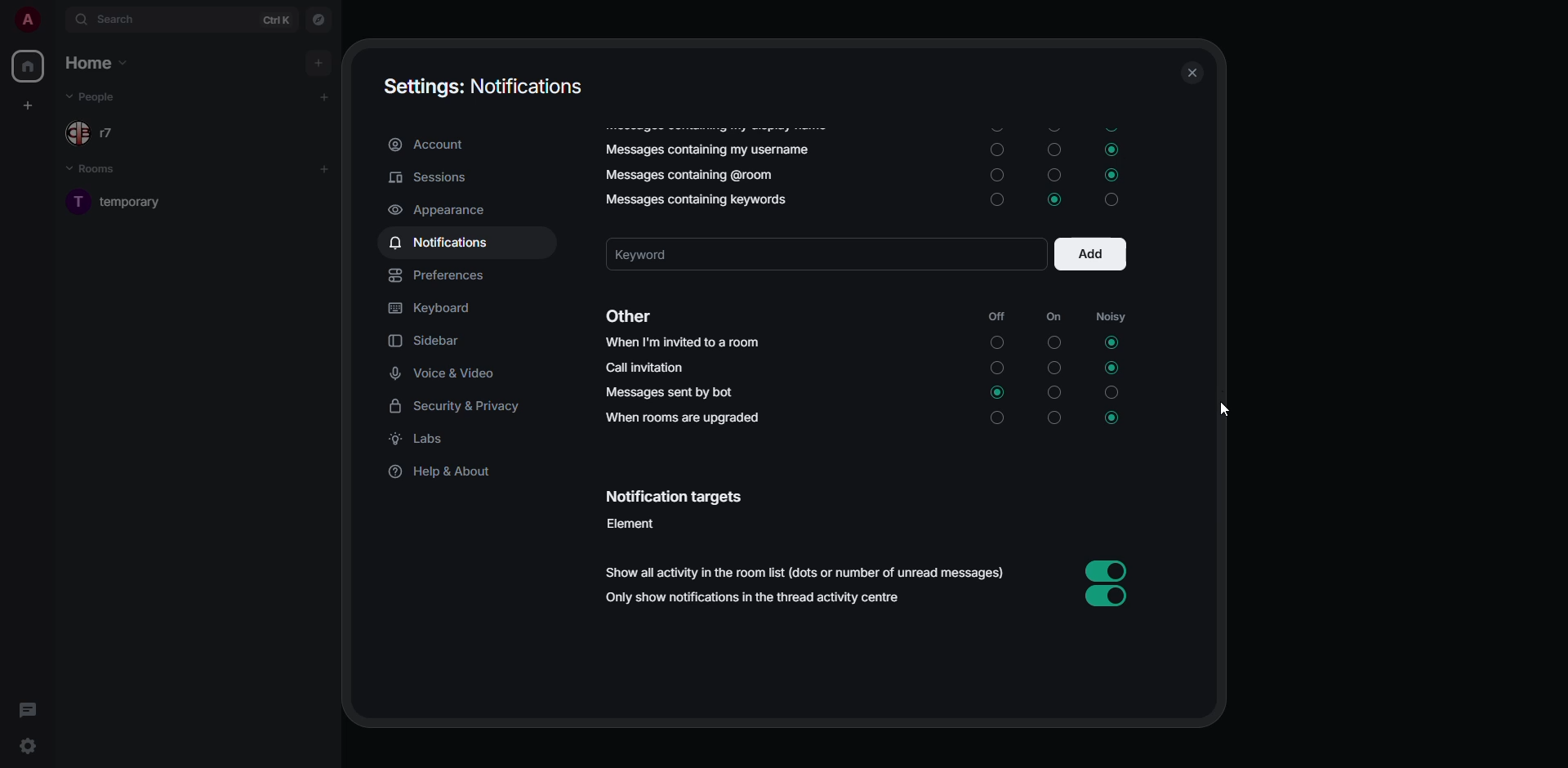  Describe the element at coordinates (1000, 176) in the screenshot. I see `on` at that location.